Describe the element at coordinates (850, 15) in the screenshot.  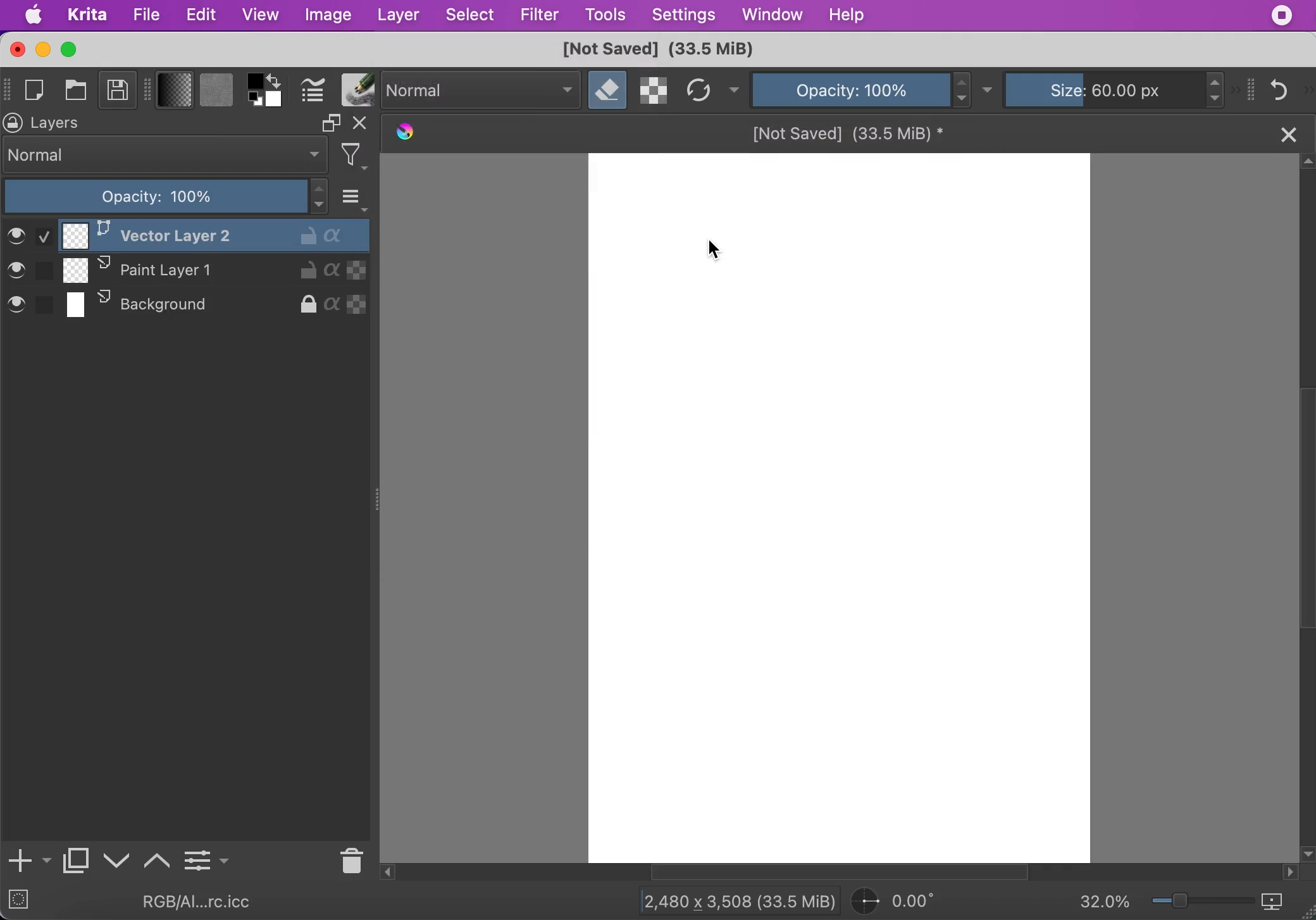
I see `help` at that location.